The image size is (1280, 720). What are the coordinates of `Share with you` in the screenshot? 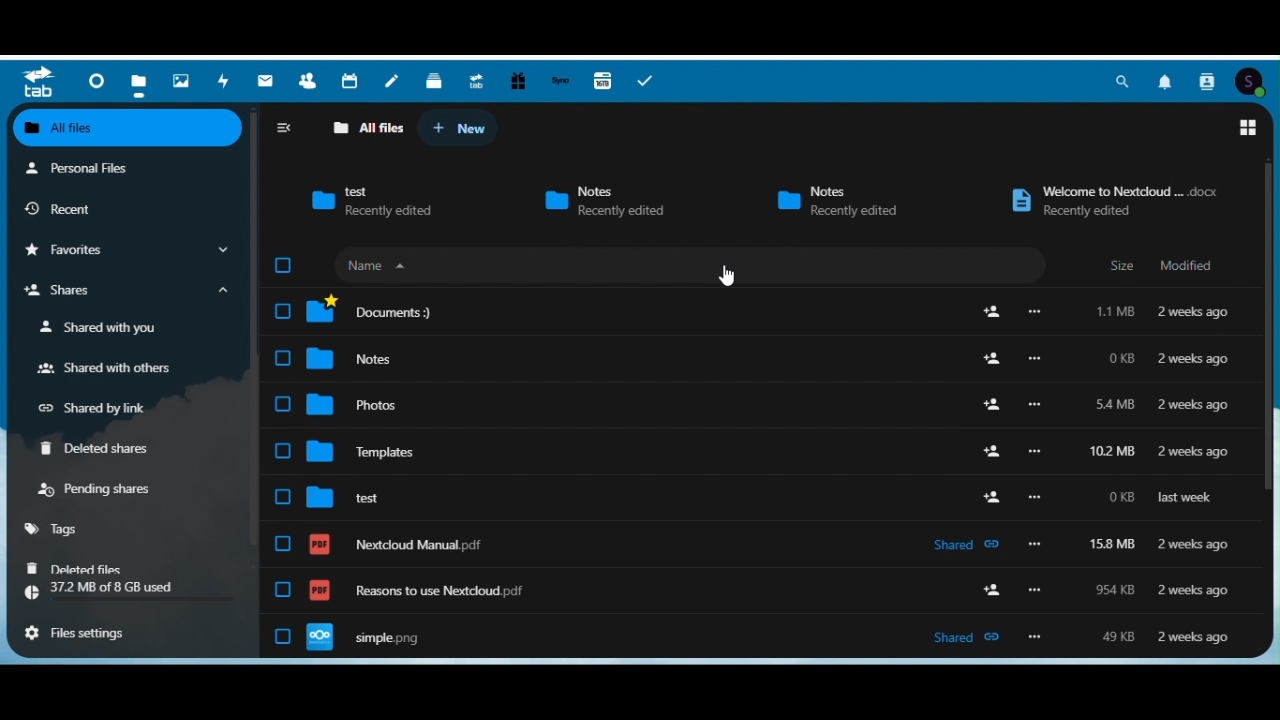 It's located at (109, 329).